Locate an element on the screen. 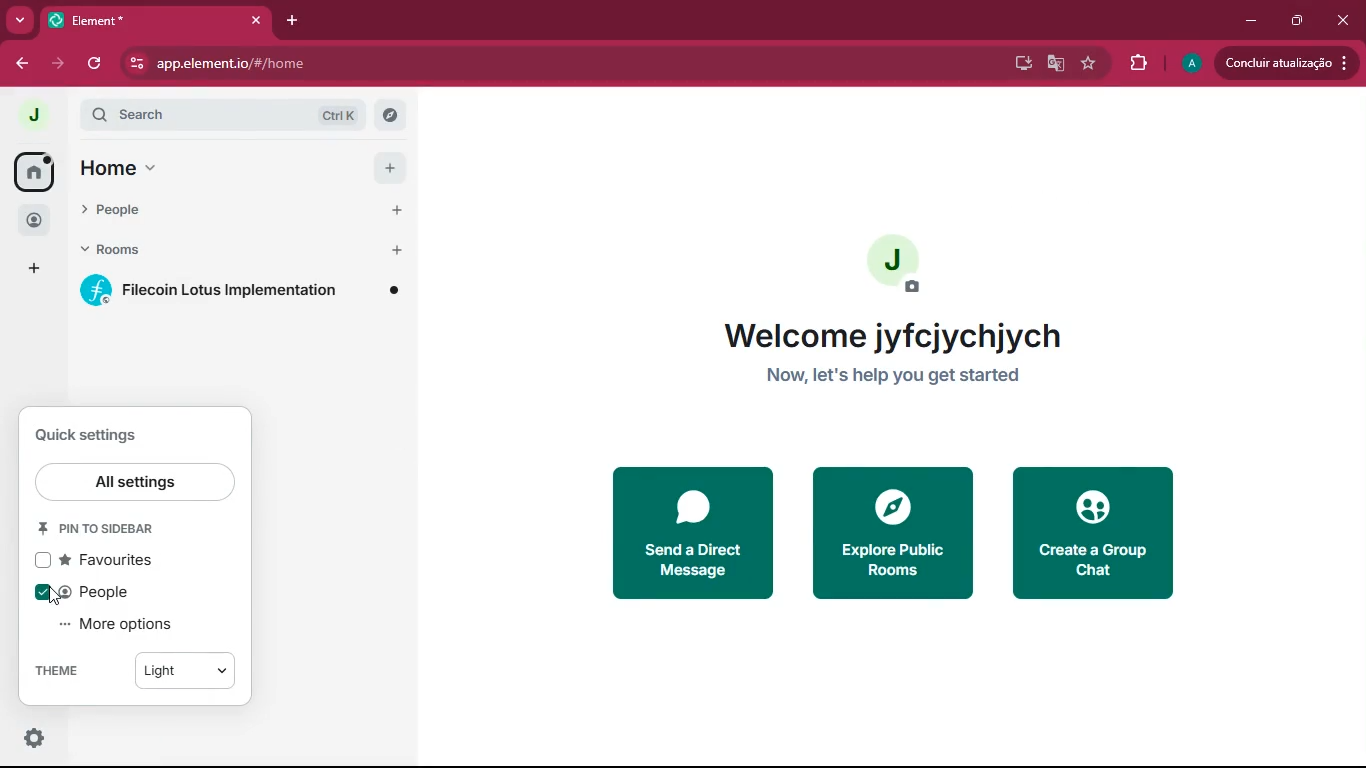 Image resolution: width=1366 pixels, height=768 pixels. on is located at coordinates (43, 597).